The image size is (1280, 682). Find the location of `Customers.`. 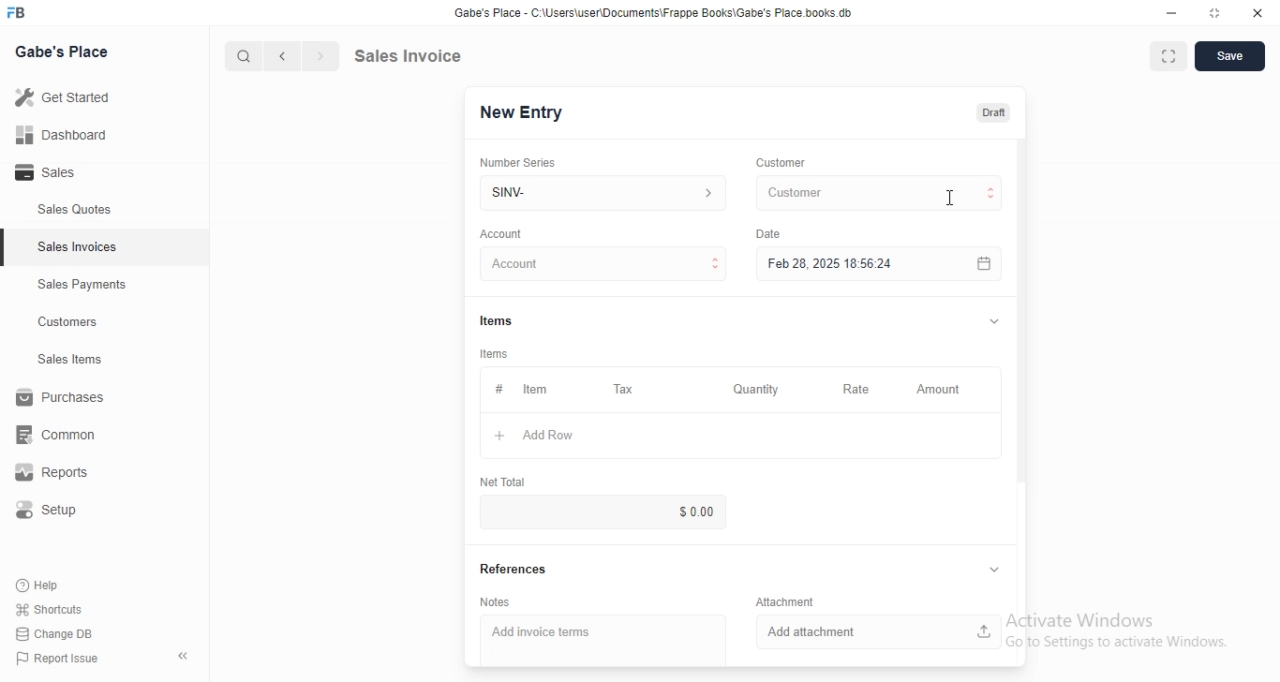

Customers. is located at coordinates (62, 324).